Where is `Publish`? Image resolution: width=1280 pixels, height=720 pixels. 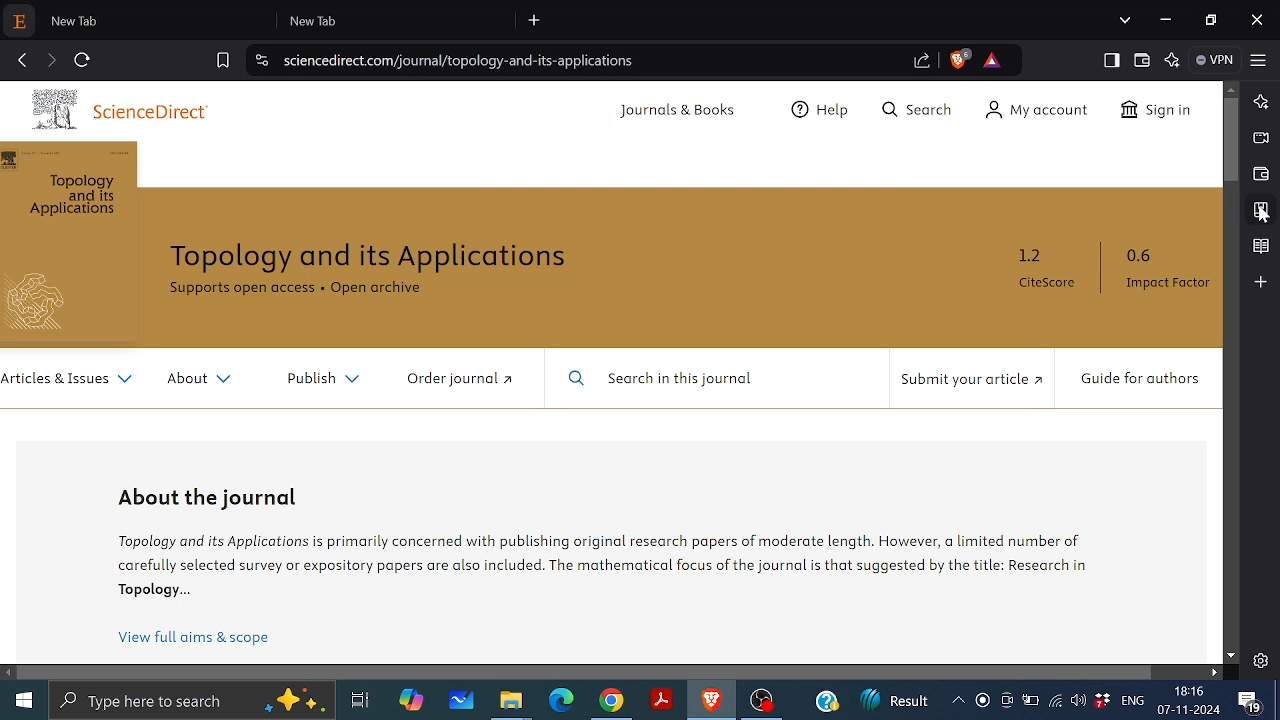
Publish is located at coordinates (327, 381).